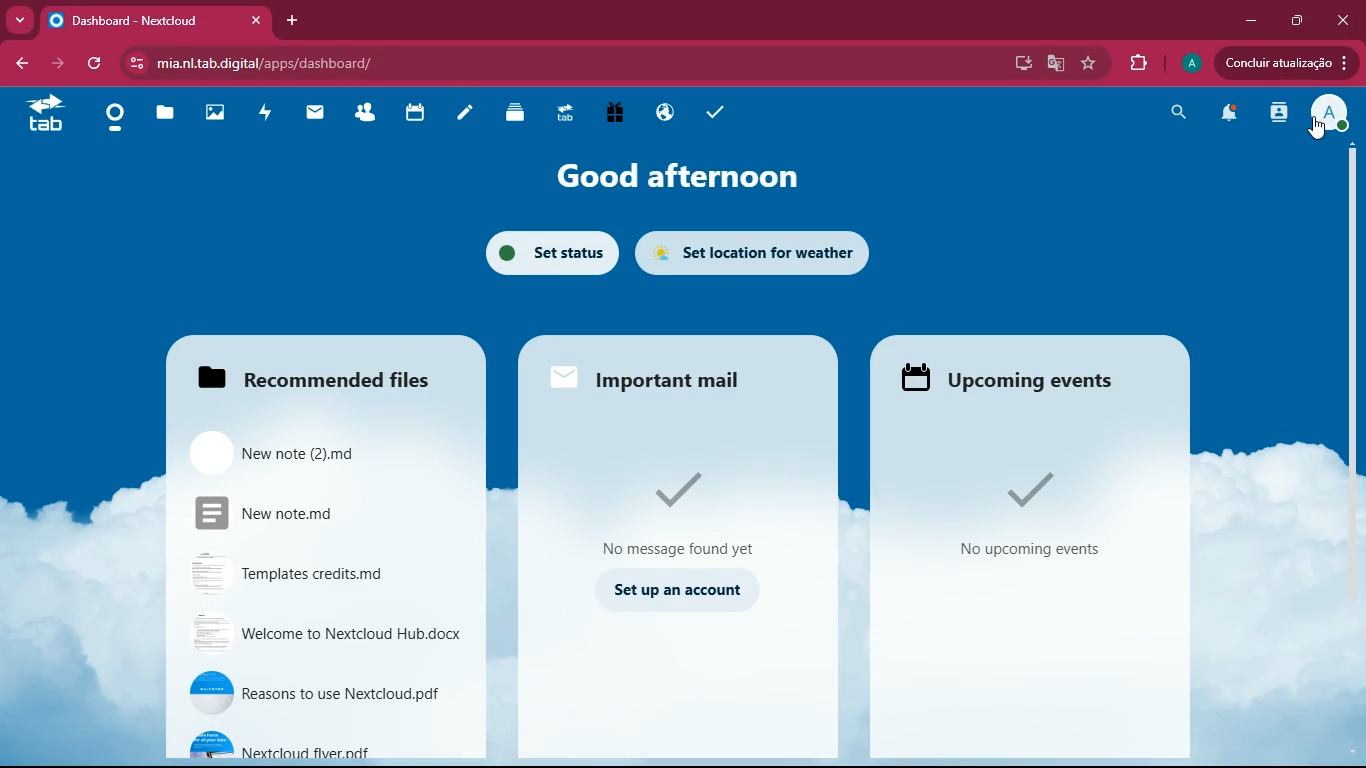  What do you see at coordinates (664, 113) in the screenshot?
I see `public` at bounding box center [664, 113].